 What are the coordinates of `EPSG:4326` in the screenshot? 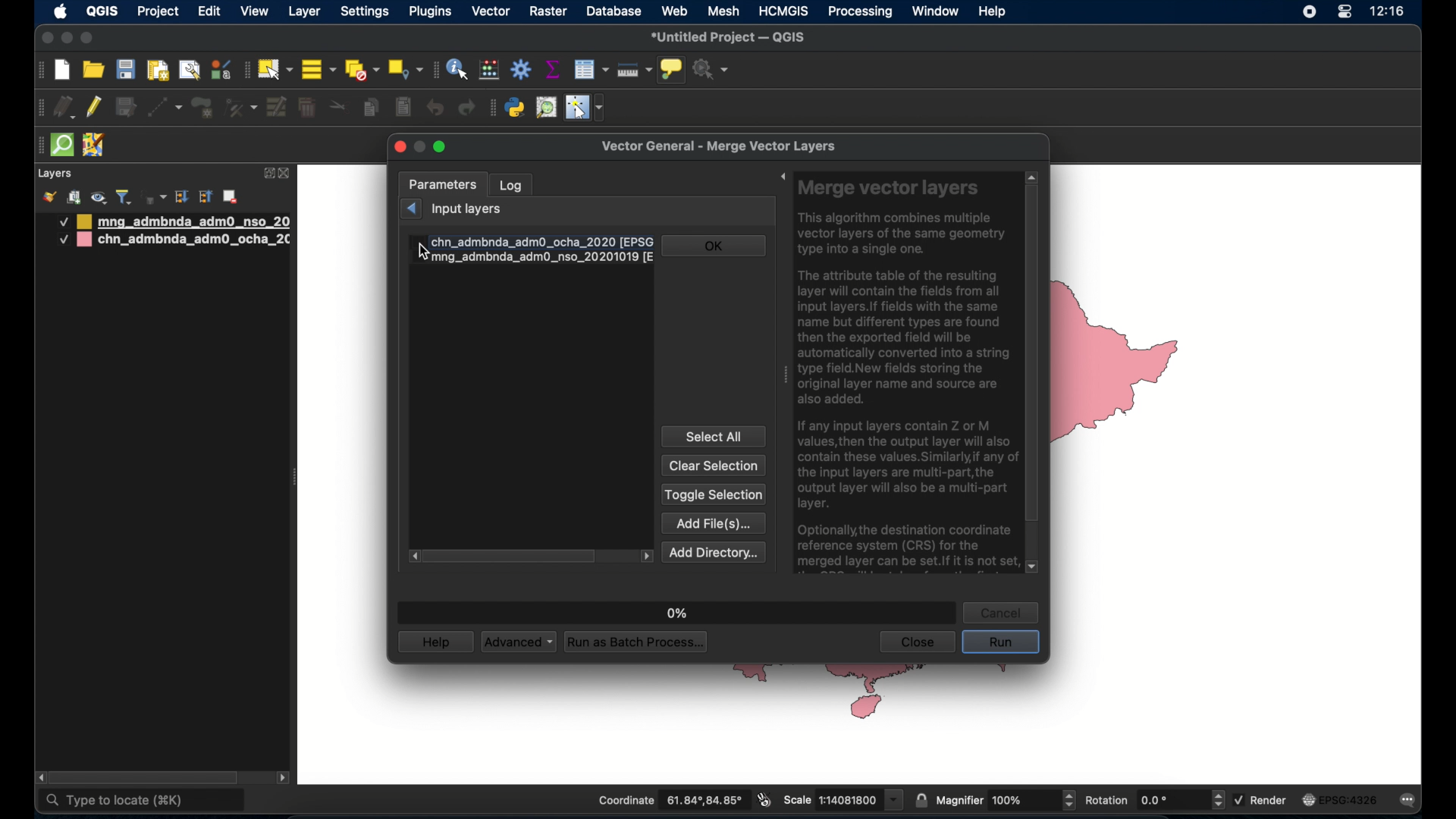 It's located at (1340, 801).